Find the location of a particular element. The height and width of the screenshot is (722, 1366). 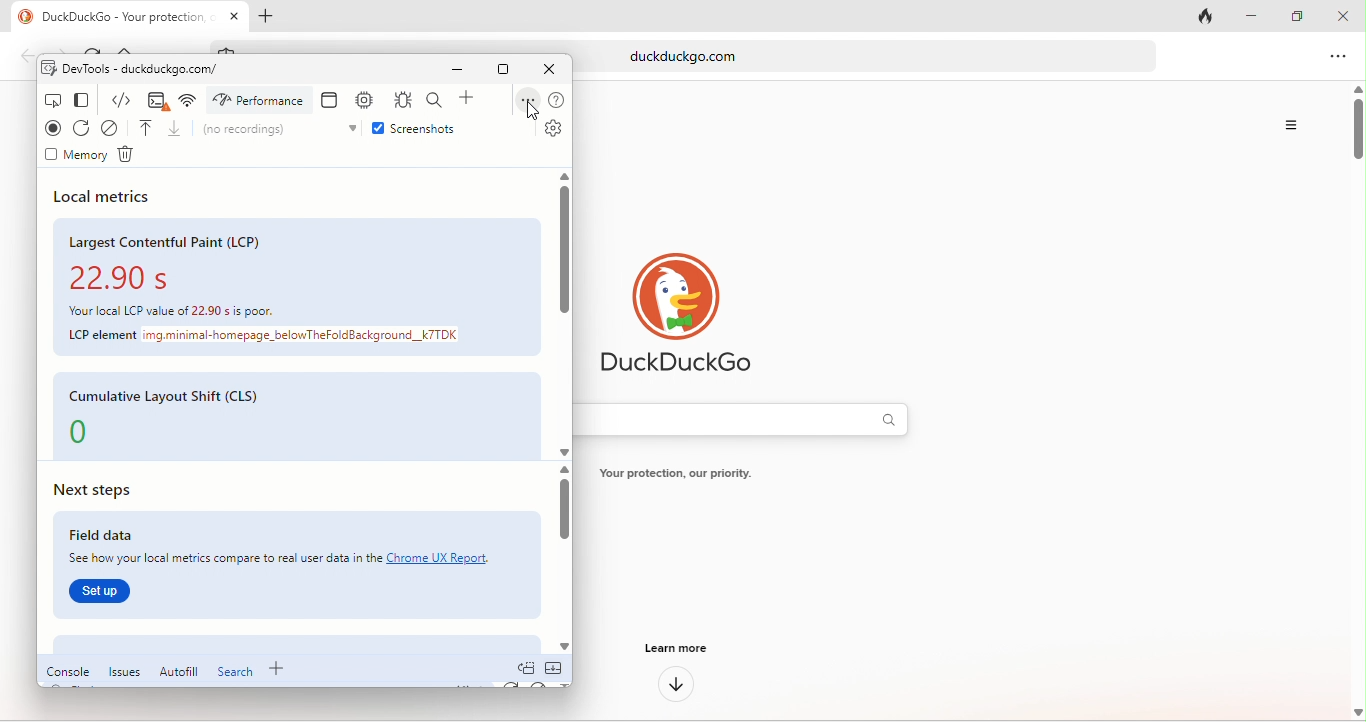

duckduck go is located at coordinates (677, 364).